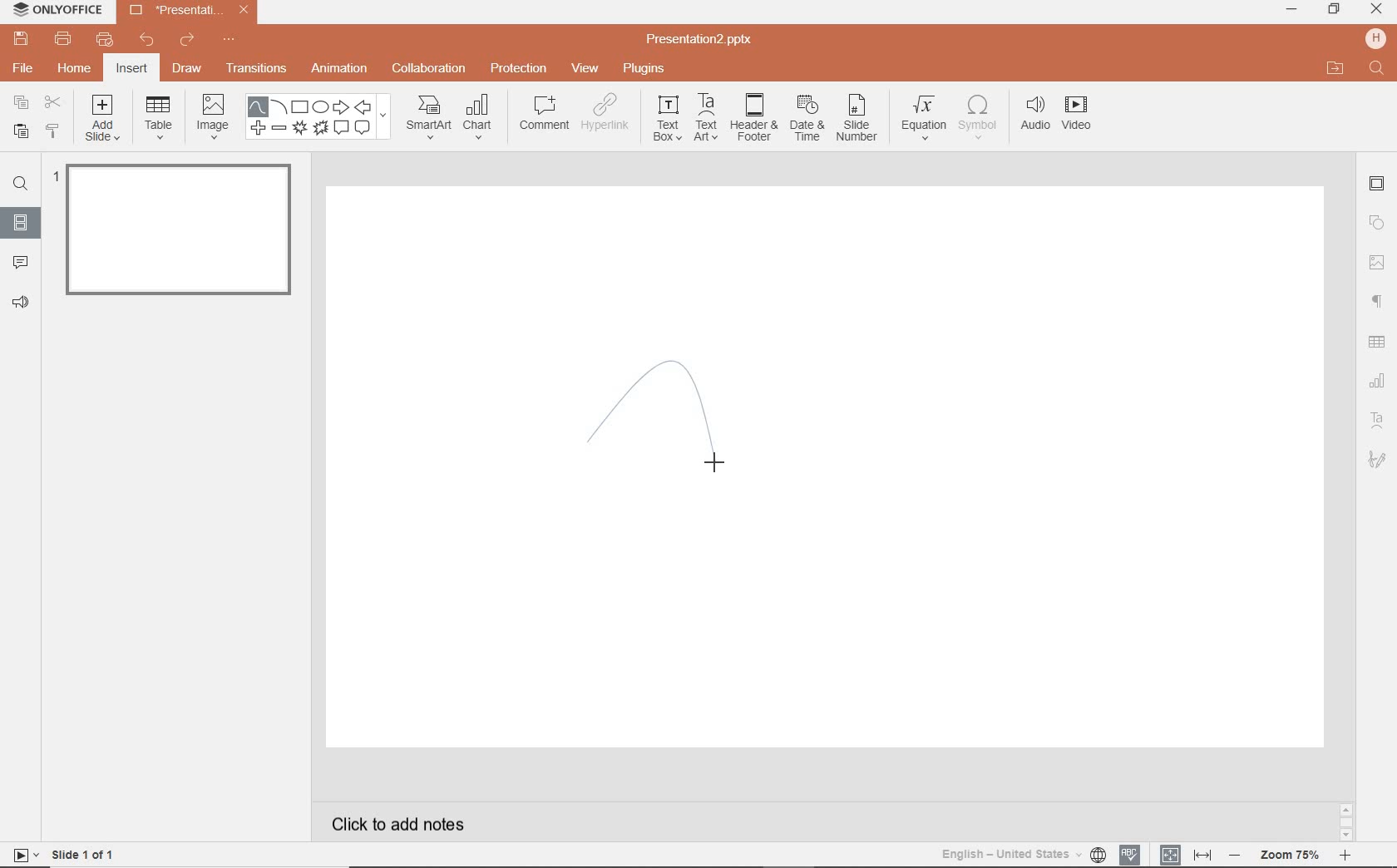 The height and width of the screenshot is (868, 1397). I want to click on COPY, so click(17, 102).